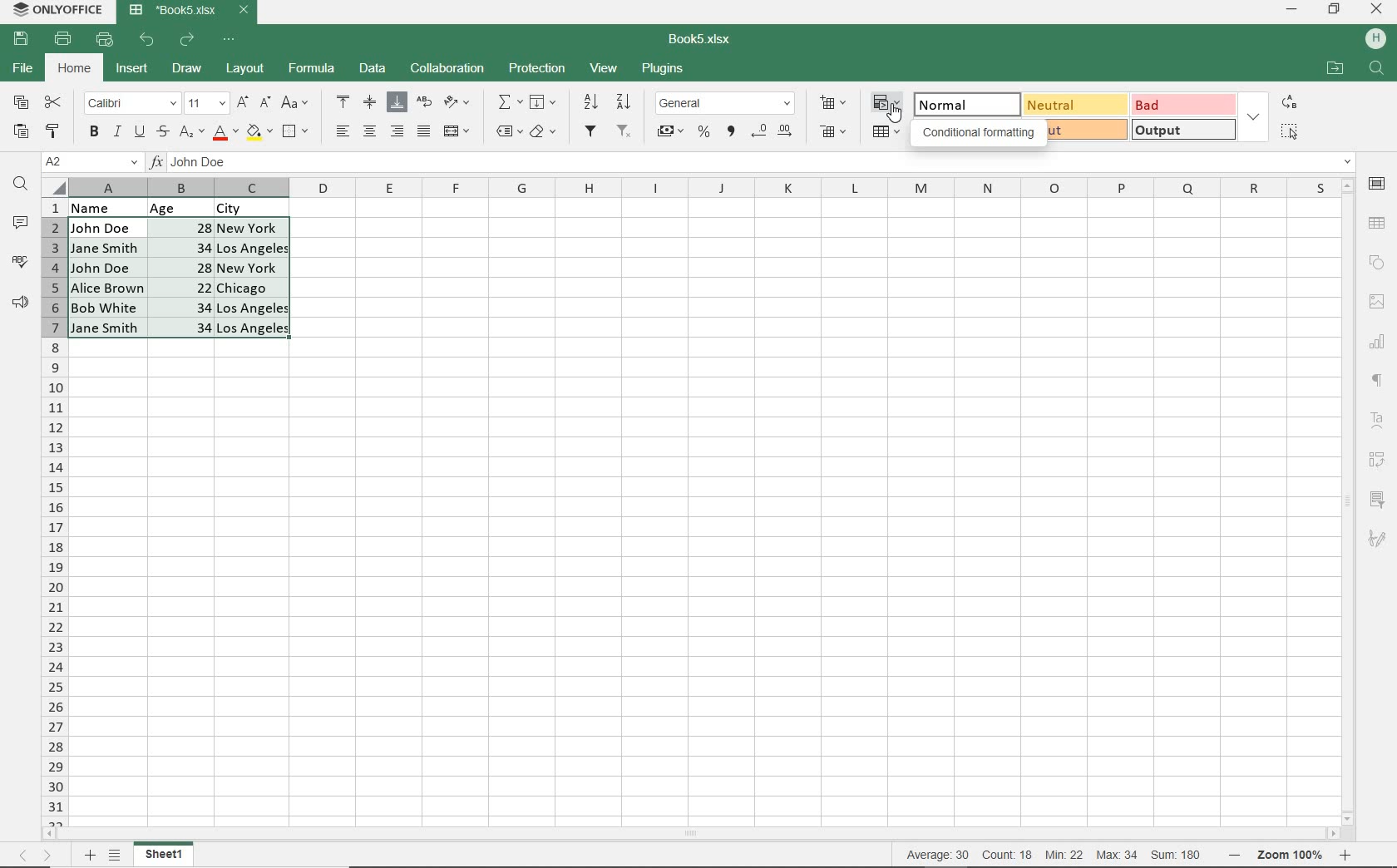 This screenshot has width=1397, height=868. I want to click on REMOVE FILTER, so click(625, 130).